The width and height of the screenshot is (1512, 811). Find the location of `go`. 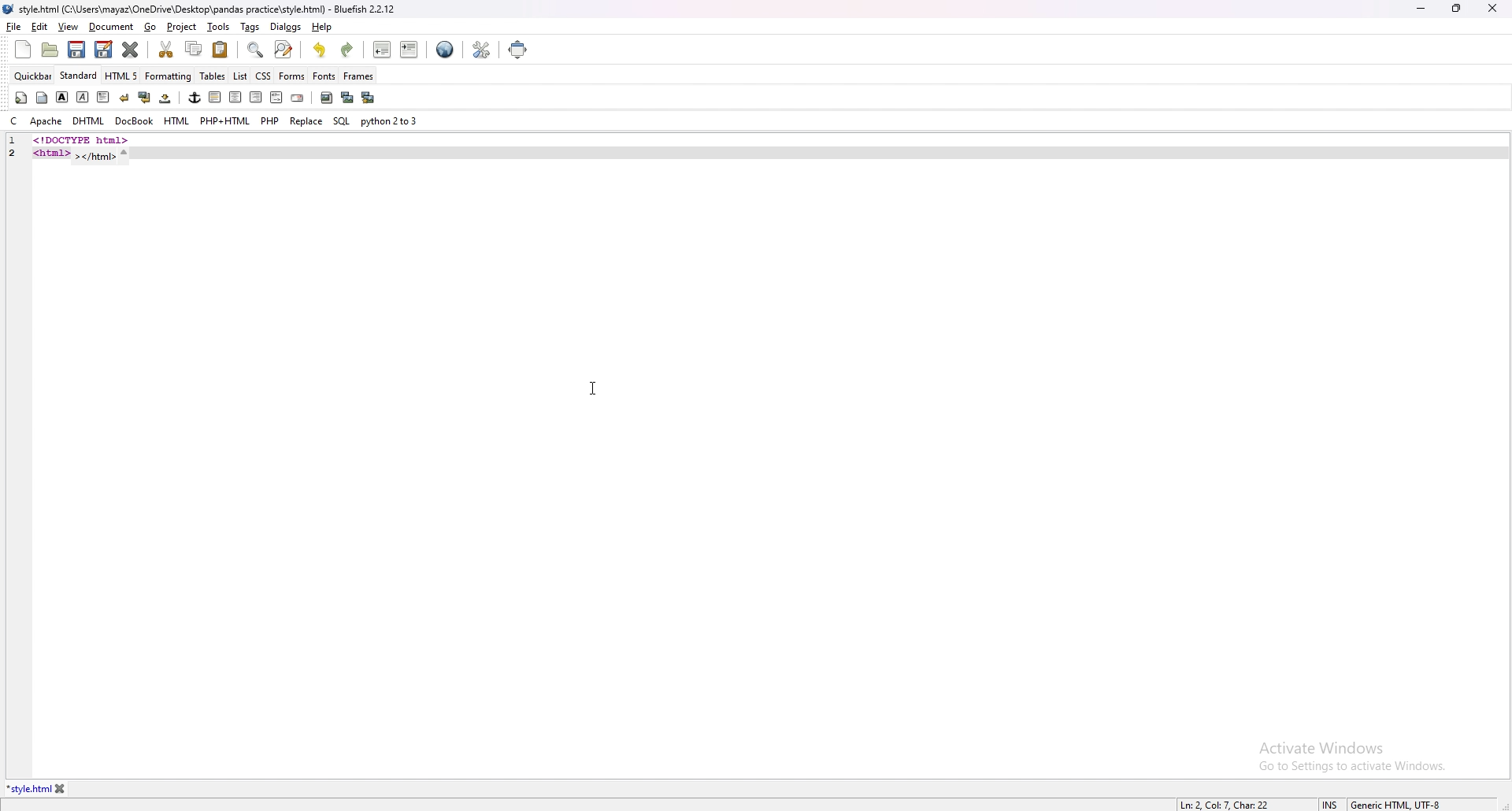

go is located at coordinates (152, 28).